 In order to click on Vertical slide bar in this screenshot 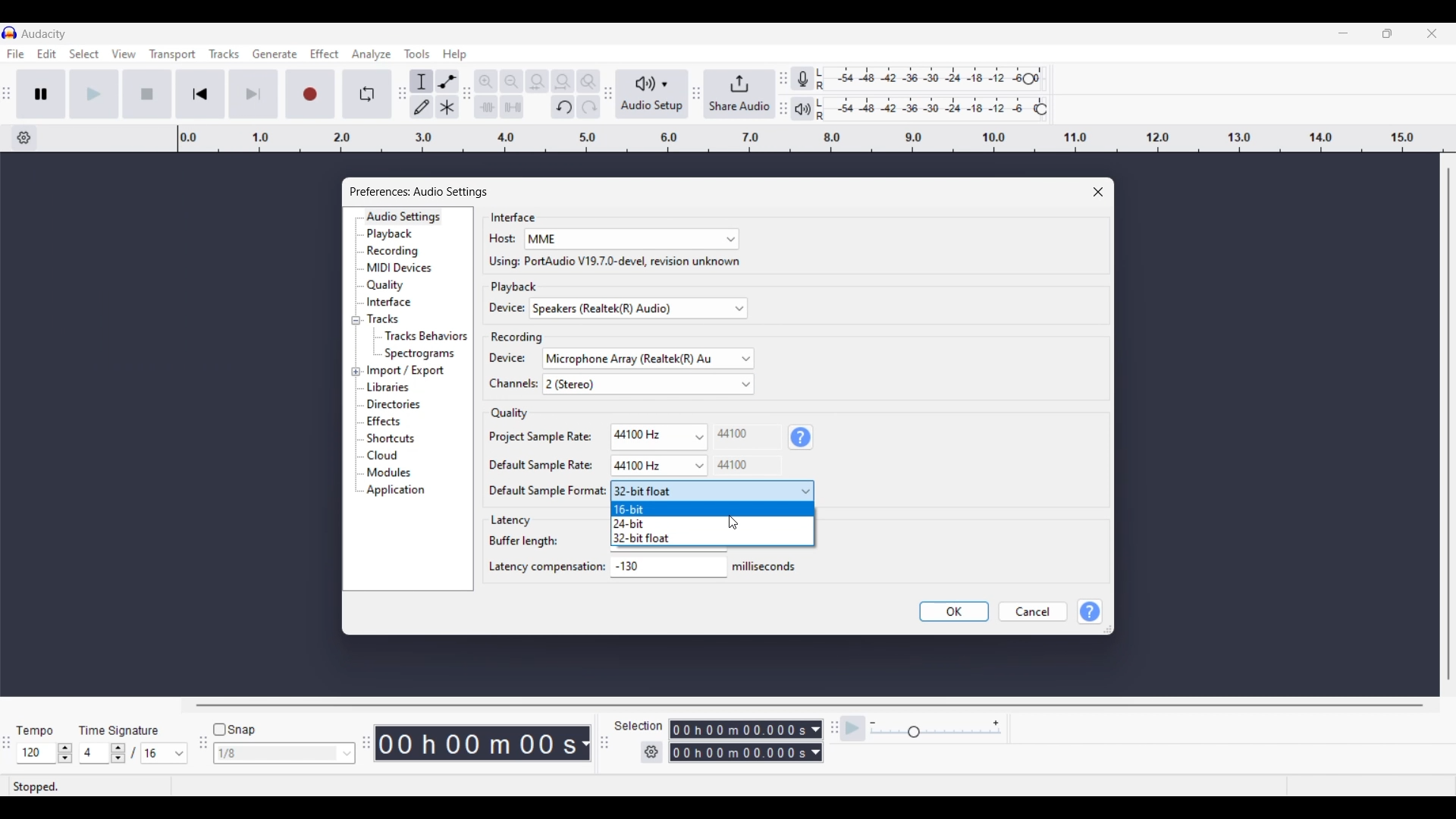, I will do `click(1448, 424)`.